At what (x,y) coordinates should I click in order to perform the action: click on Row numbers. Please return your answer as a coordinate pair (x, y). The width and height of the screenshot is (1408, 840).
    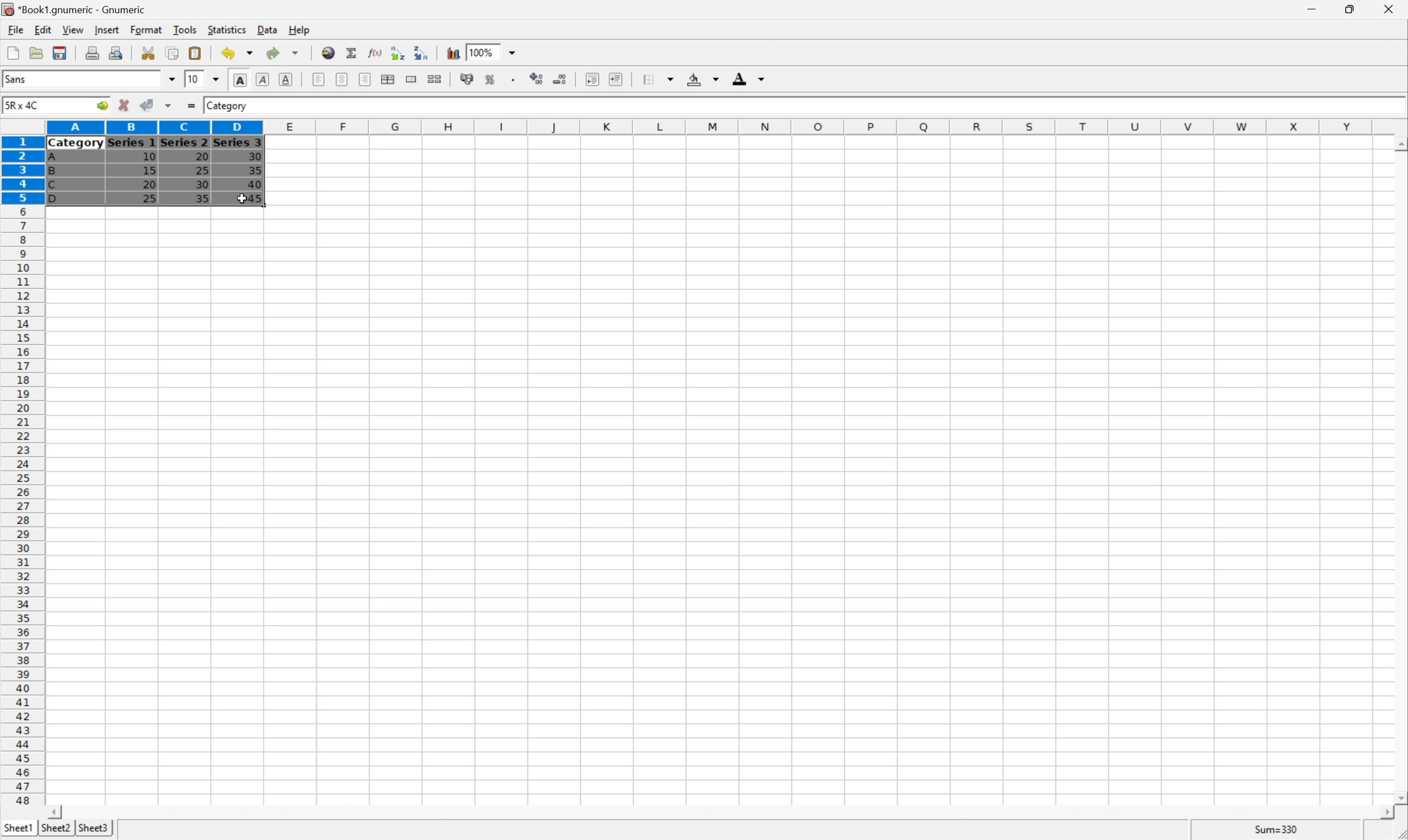
    Looking at the image, I should click on (21, 470).